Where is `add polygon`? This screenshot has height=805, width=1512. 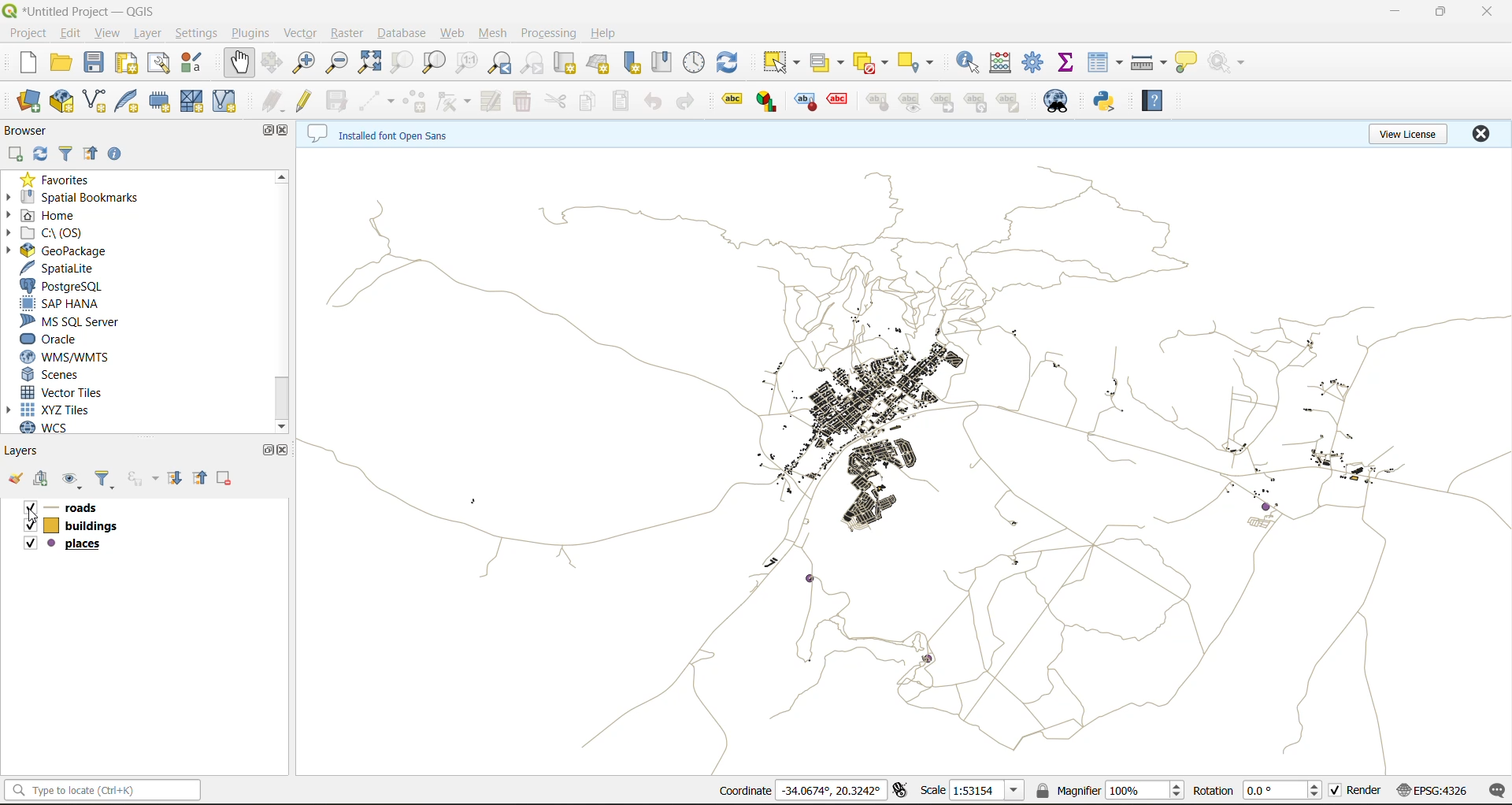 add polygon is located at coordinates (416, 100).